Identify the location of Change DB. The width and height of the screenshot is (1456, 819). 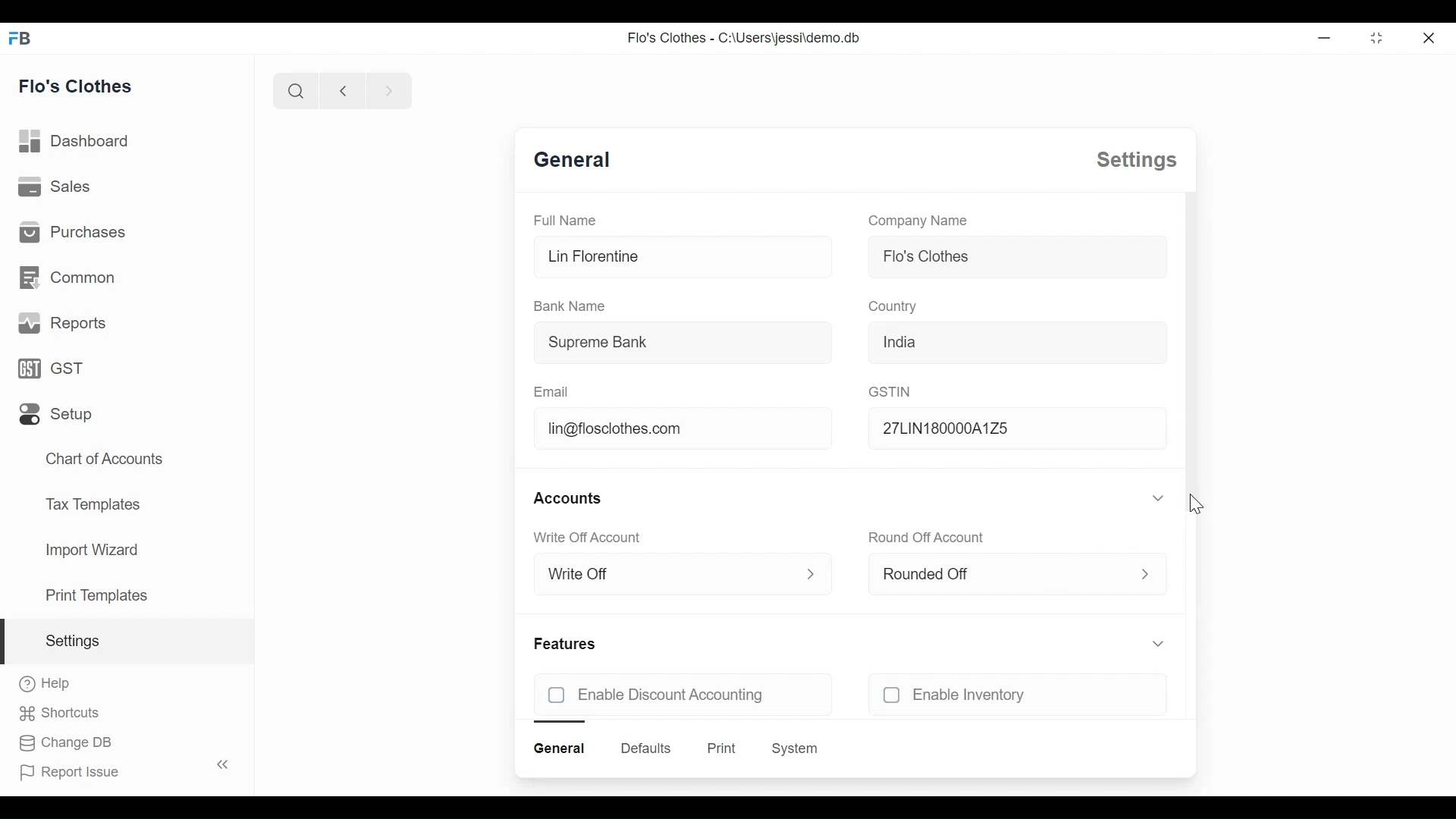
(66, 744).